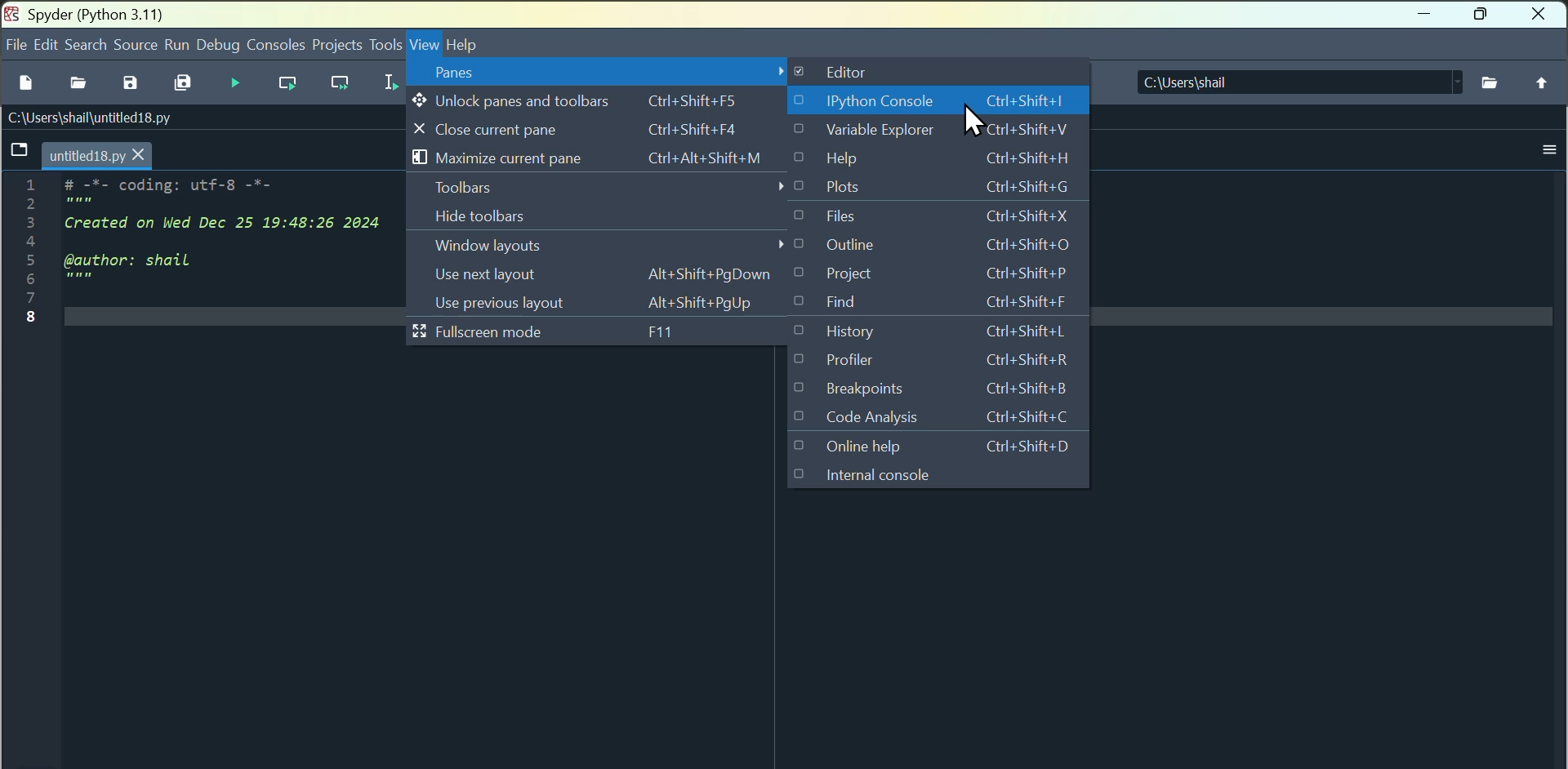  Describe the element at coordinates (79, 154) in the screenshot. I see `tab - untitled18.py` at that location.